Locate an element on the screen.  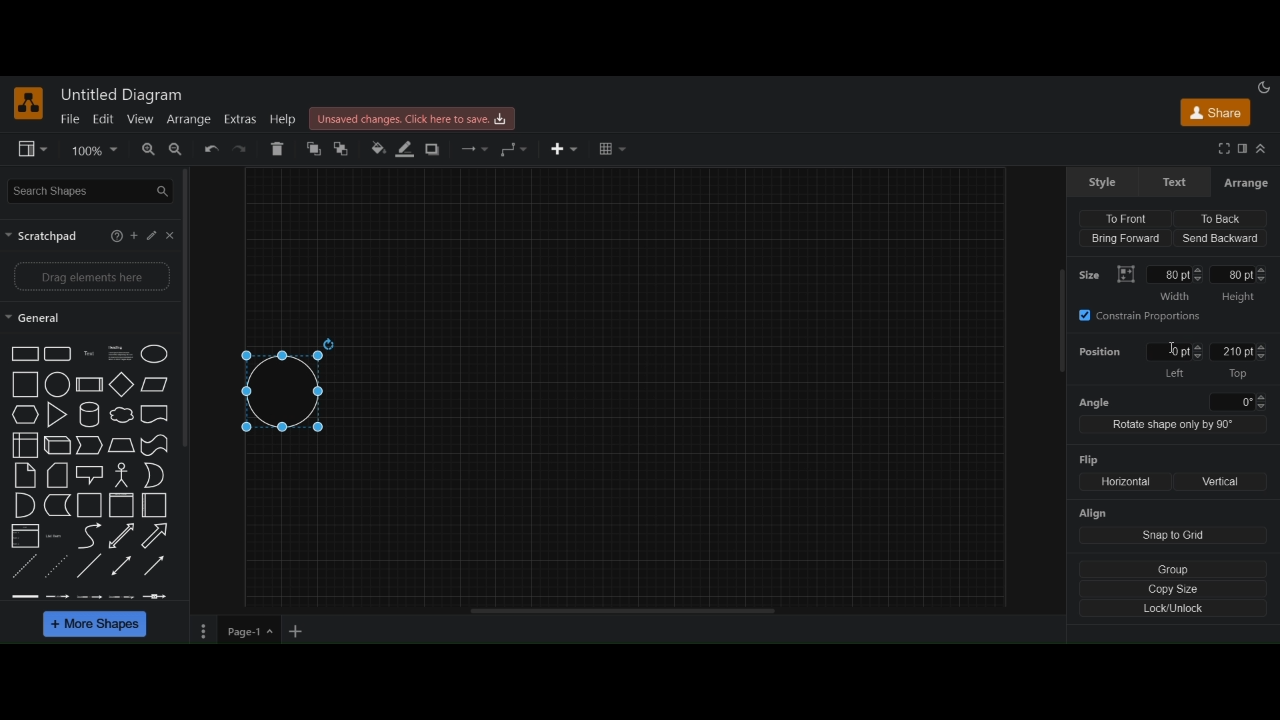
waypoints is located at coordinates (514, 149).